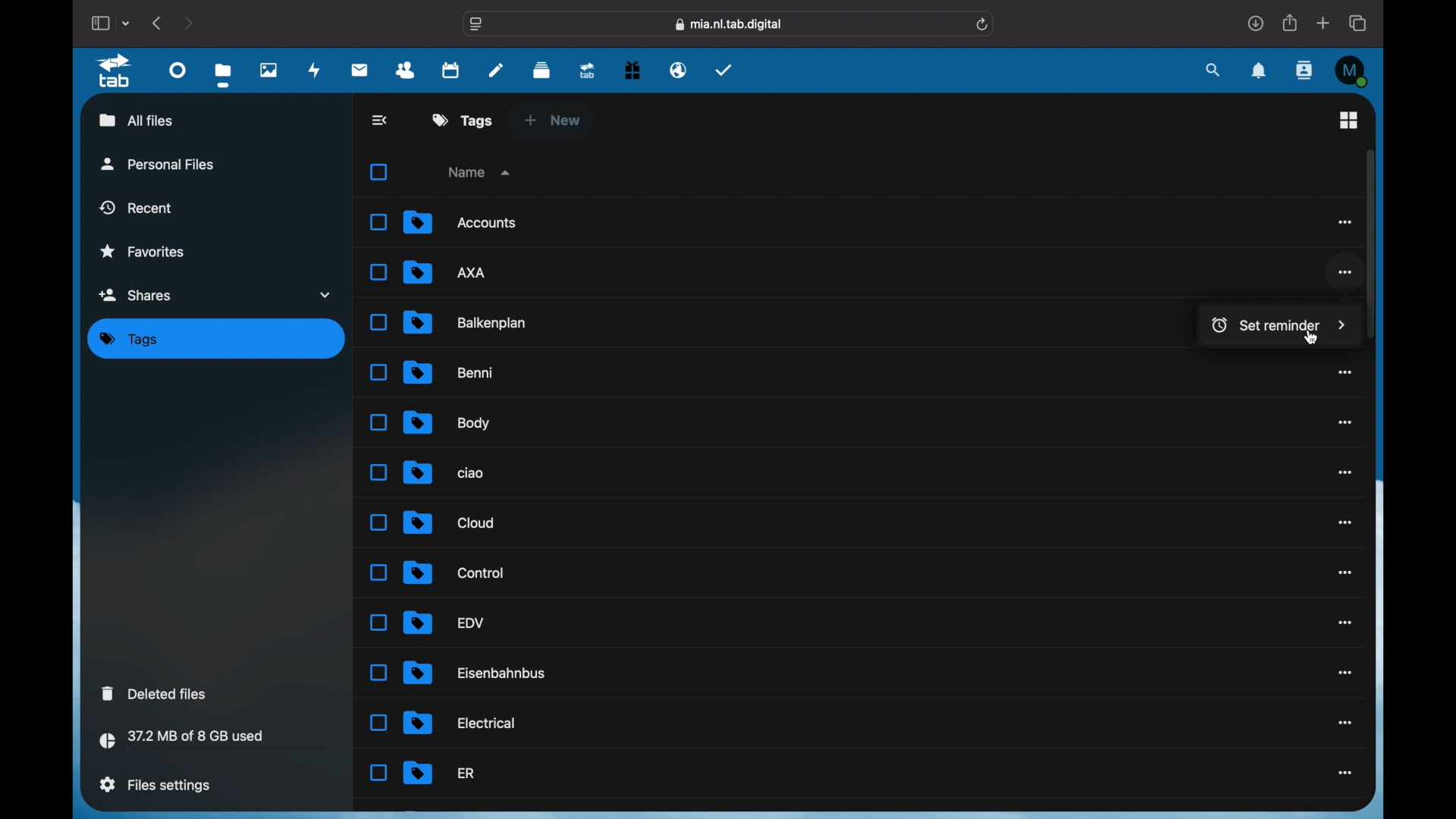  Describe the element at coordinates (158, 22) in the screenshot. I see `previous` at that location.